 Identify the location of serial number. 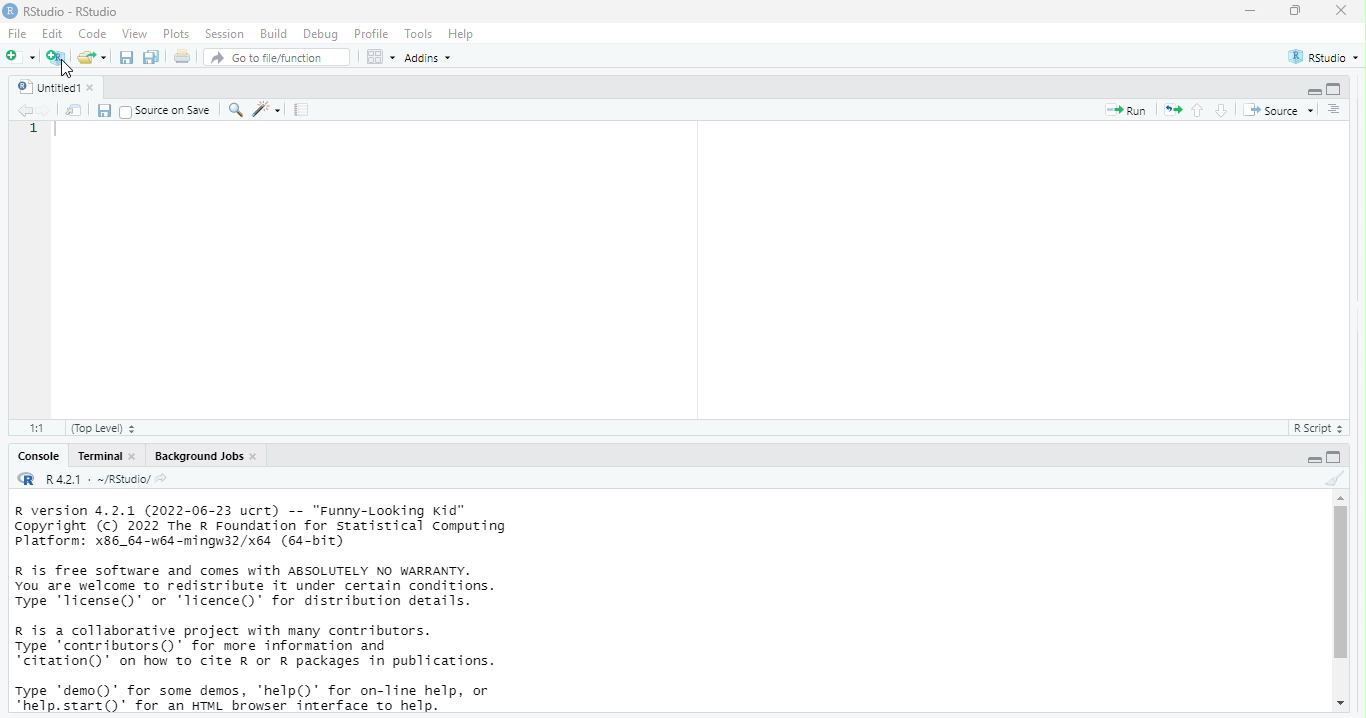
(34, 135).